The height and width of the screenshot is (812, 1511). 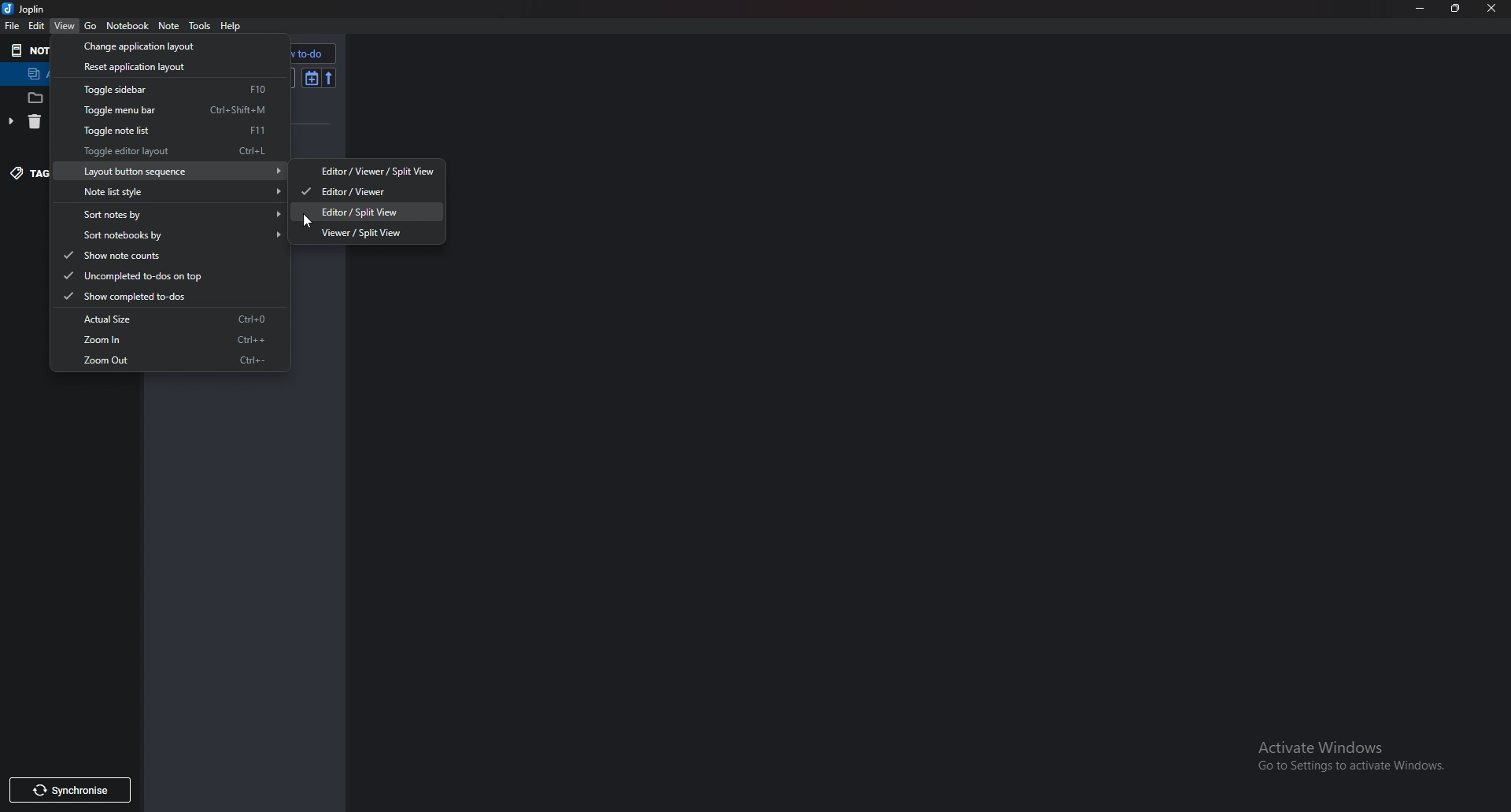 What do you see at coordinates (175, 191) in the screenshot?
I see `Note list style` at bounding box center [175, 191].